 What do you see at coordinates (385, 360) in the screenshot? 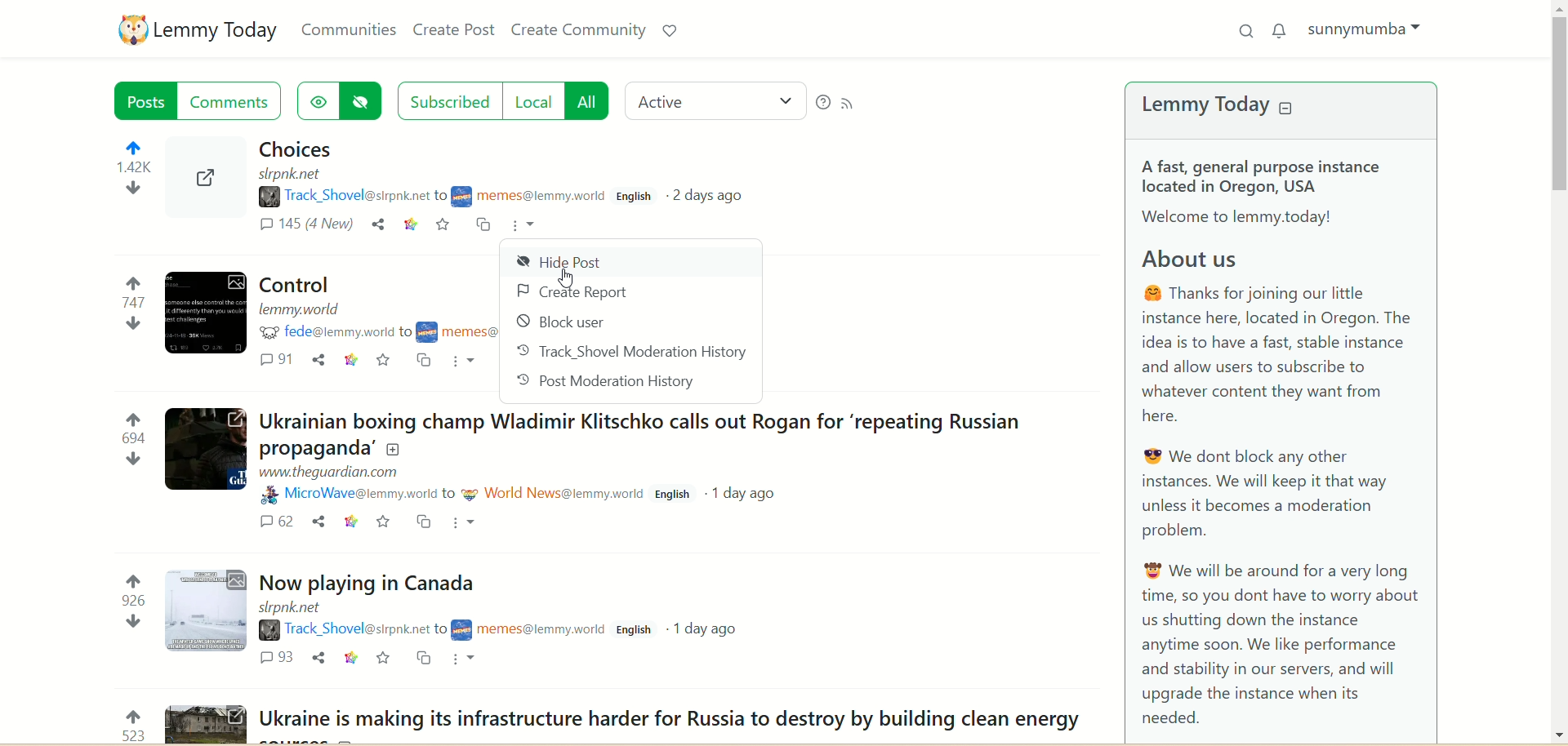
I see `favorite` at bounding box center [385, 360].